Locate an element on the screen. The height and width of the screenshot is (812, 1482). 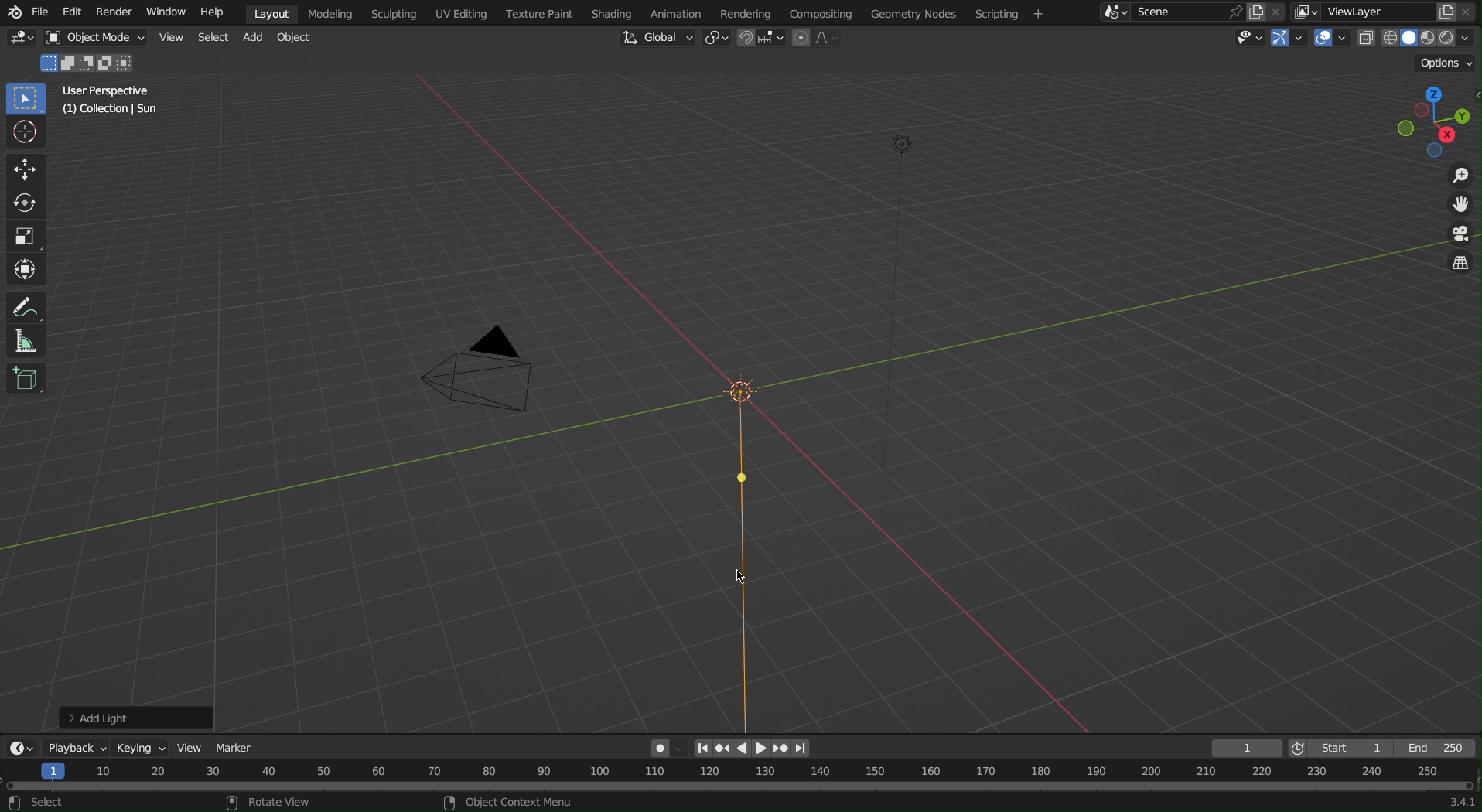
Select is located at coordinates (213, 37).